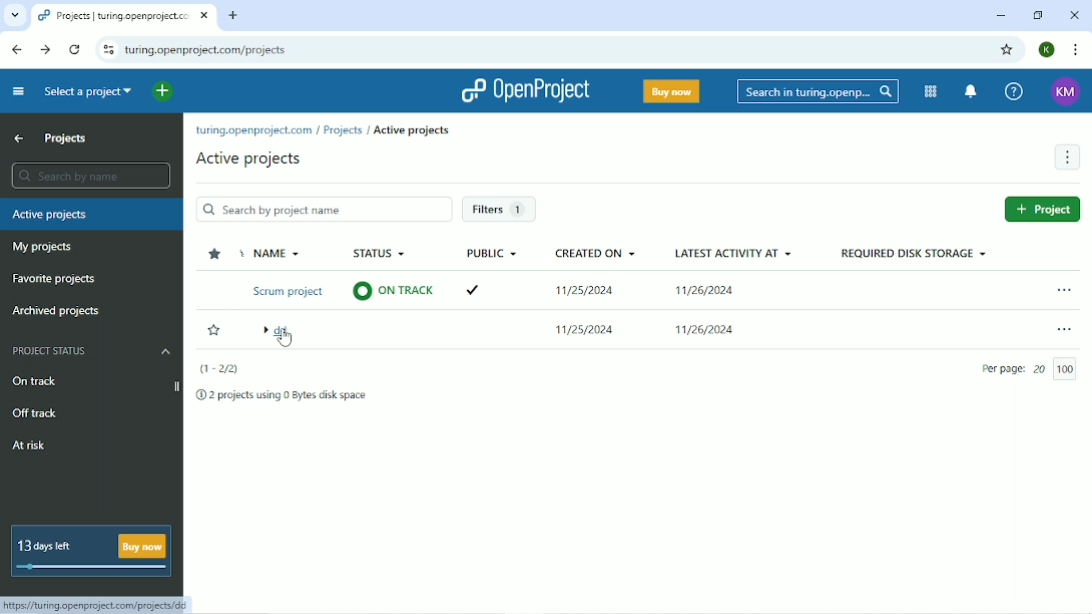 This screenshot has width=1092, height=614. What do you see at coordinates (216, 254) in the screenshot?
I see `Sort by favorite` at bounding box center [216, 254].